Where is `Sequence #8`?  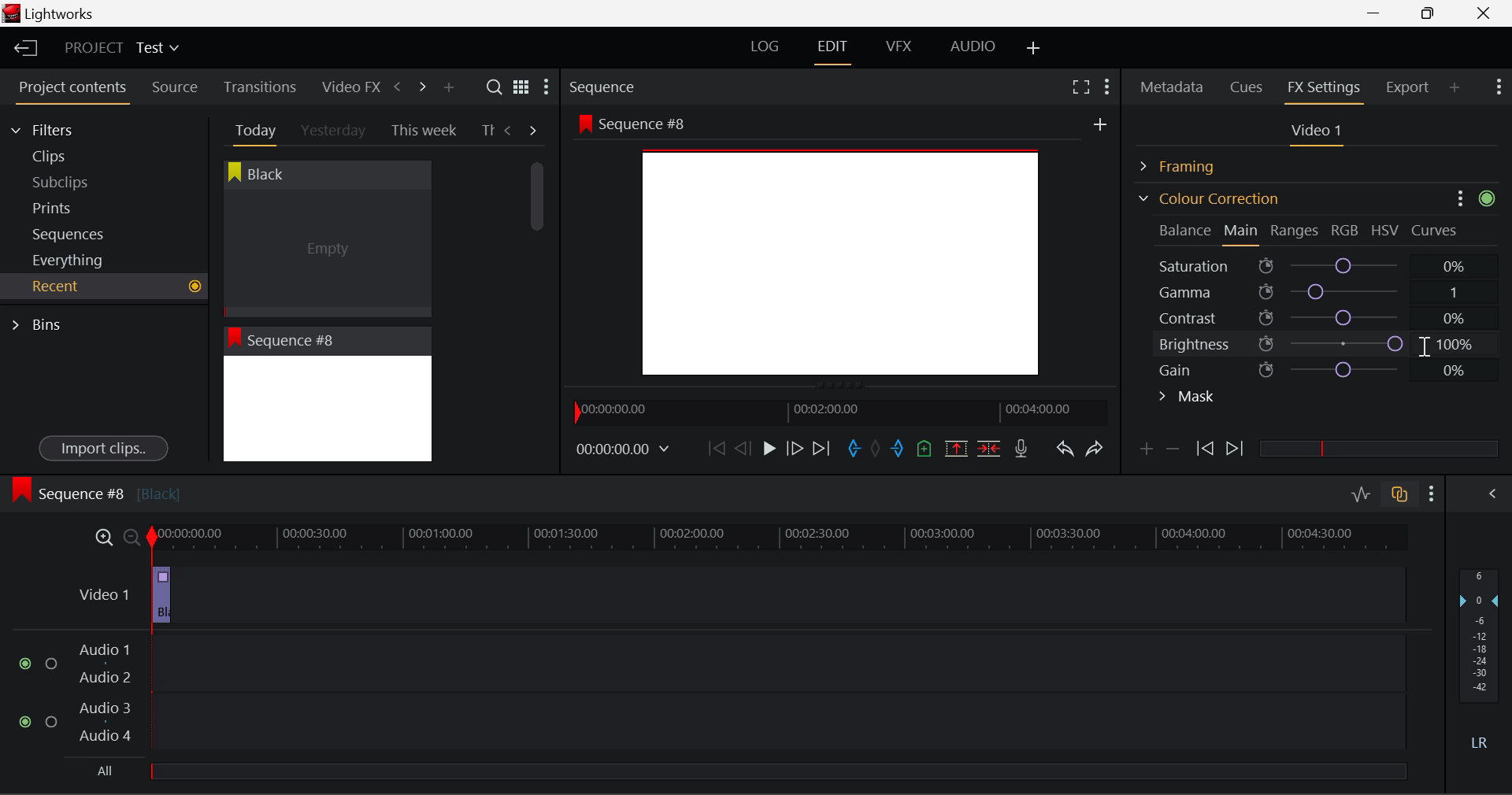
Sequence #8 is located at coordinates (95, 490).